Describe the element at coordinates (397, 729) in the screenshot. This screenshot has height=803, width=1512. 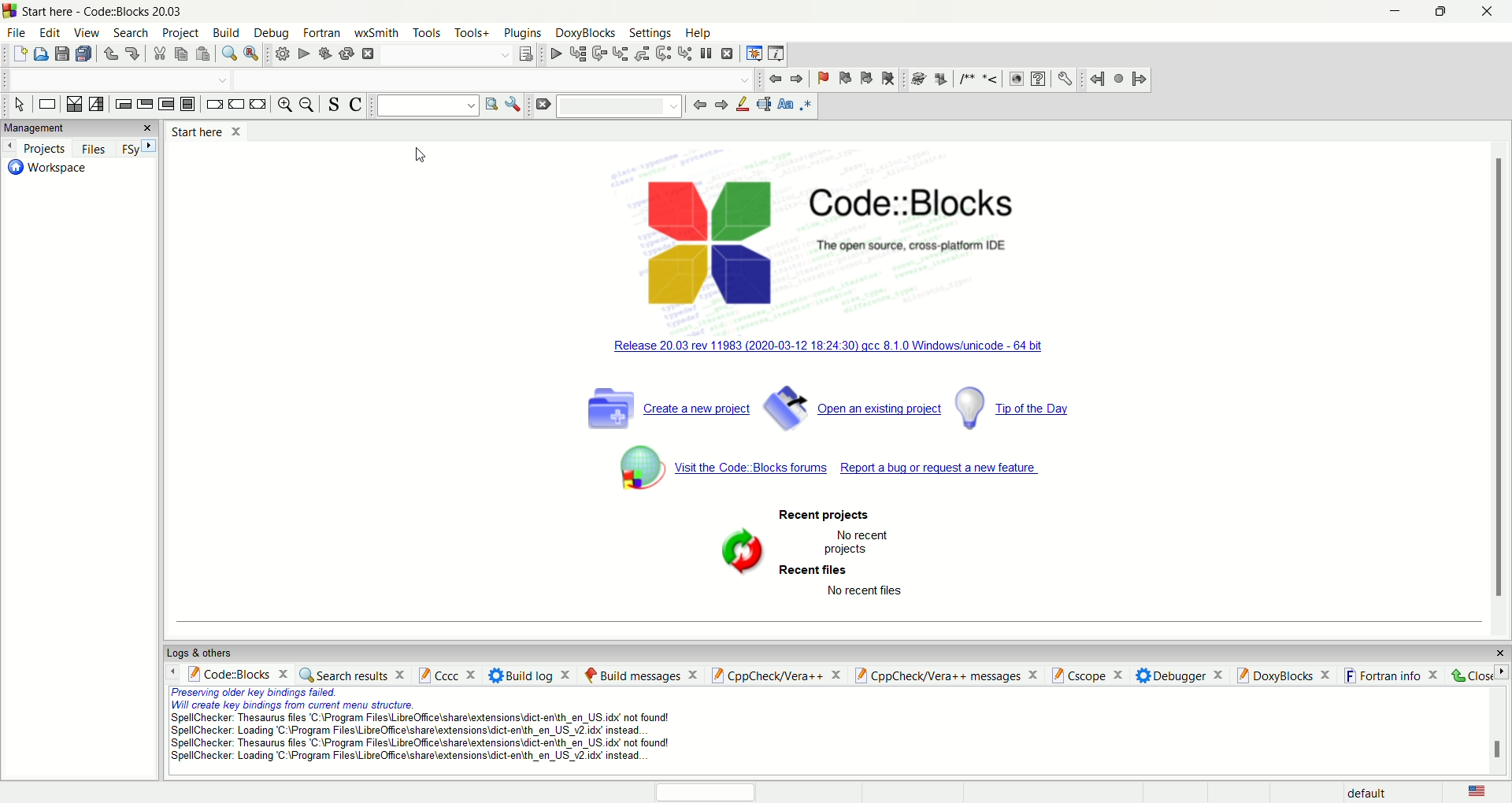
I see `(FVII) SUP Sy SUN —.
Will create key bindings from current menu structure.
‘SpellChecker: Thesaurus files ‘C:\Program Files\LibreOffice\share\extensions\dict-enith_en_US idx’ not found!
‘SpellChecker: Loading C:\Program Files LibreOffice\share\extensions\dict-enith_en_US_vZ idx instead.
‘SpellChecker: Thesaurus files ‘C:\Program Files\LibreOffice\share\extensions\dict-enith_en_US idx’ not found!
‘SpellChecker: Loading ‘C:\Program Files LibreOffice\share\extensions\dict-enith_en_US_vZ idx instead.` at that location.